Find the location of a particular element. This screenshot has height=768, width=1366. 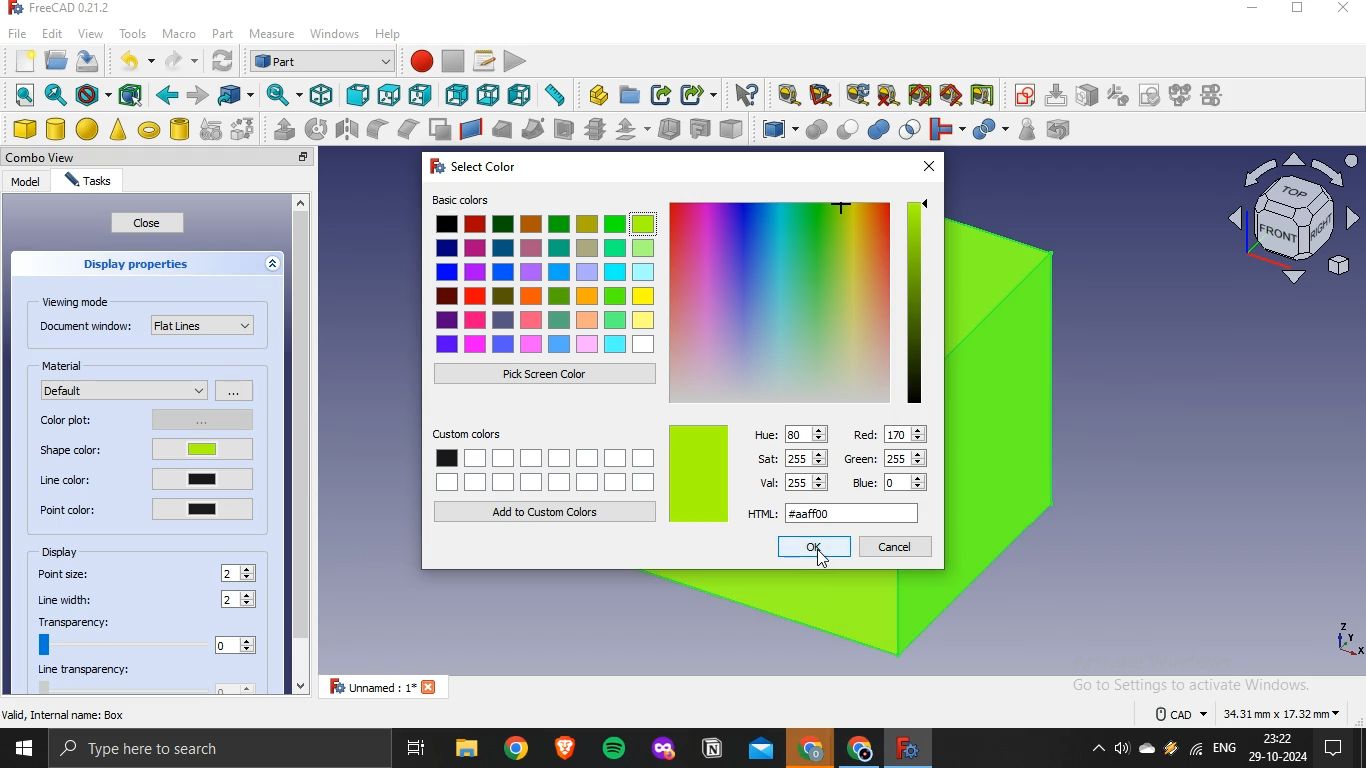

notifications is located at coordinates (1330, 750).